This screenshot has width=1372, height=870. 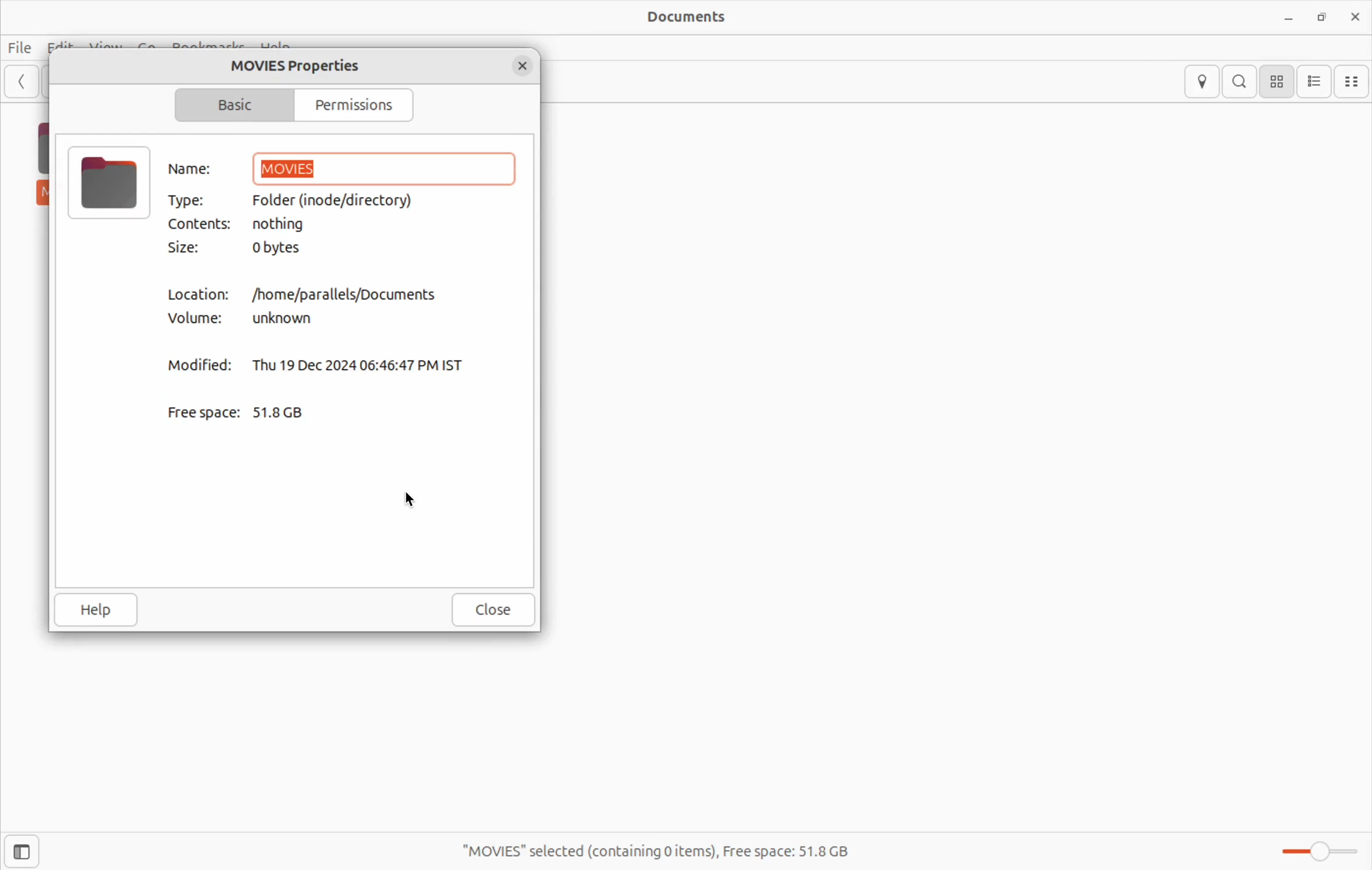 What do you see at coordinates (1352, 17) in the screenshot?
I see `close` at bounding box center [1352, 17].